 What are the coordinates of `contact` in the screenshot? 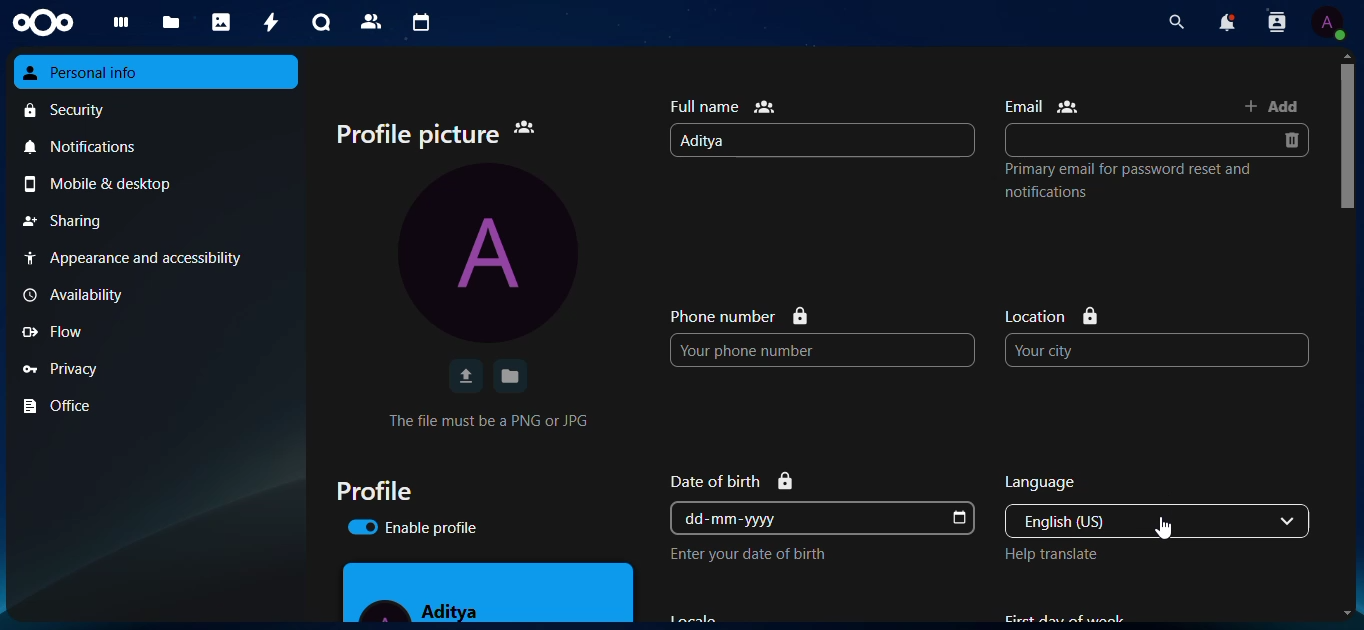 It's located at (1275, 24).